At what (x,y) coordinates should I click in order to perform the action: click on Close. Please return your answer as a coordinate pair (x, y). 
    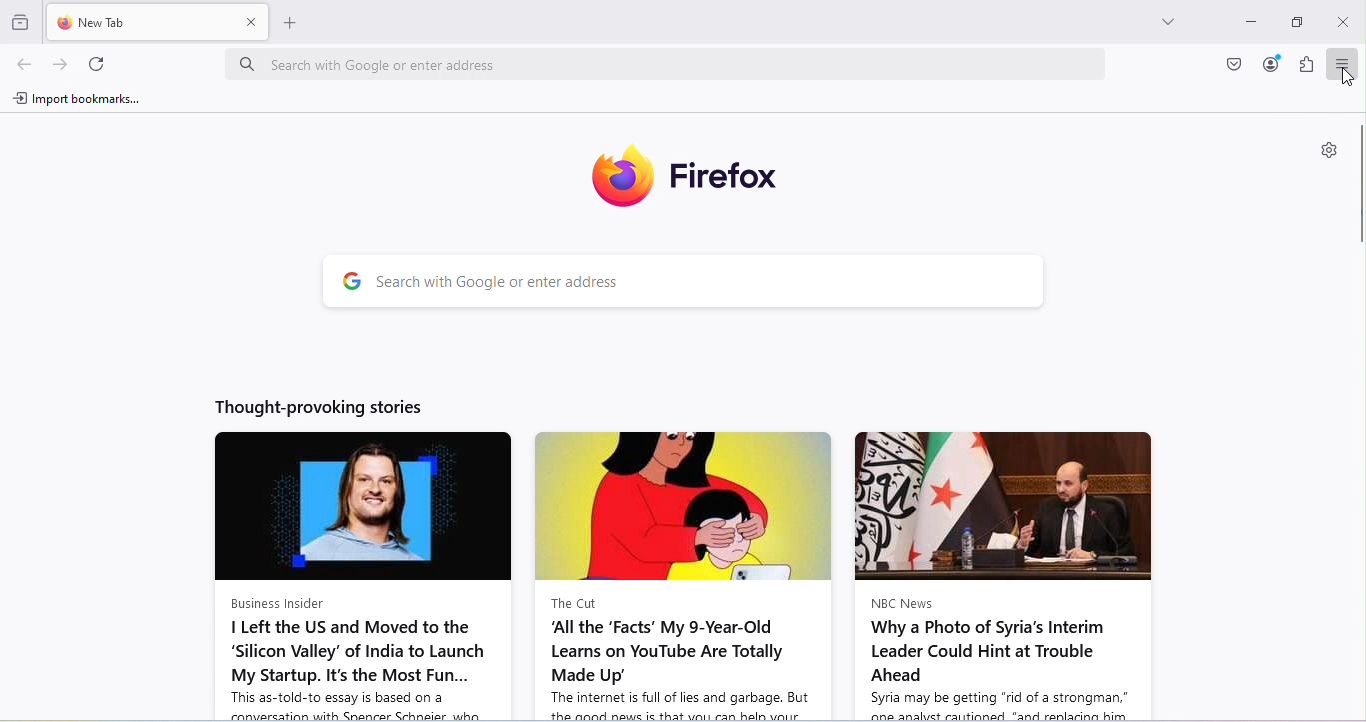
    Looking at the image, I should click on (1343, 21).